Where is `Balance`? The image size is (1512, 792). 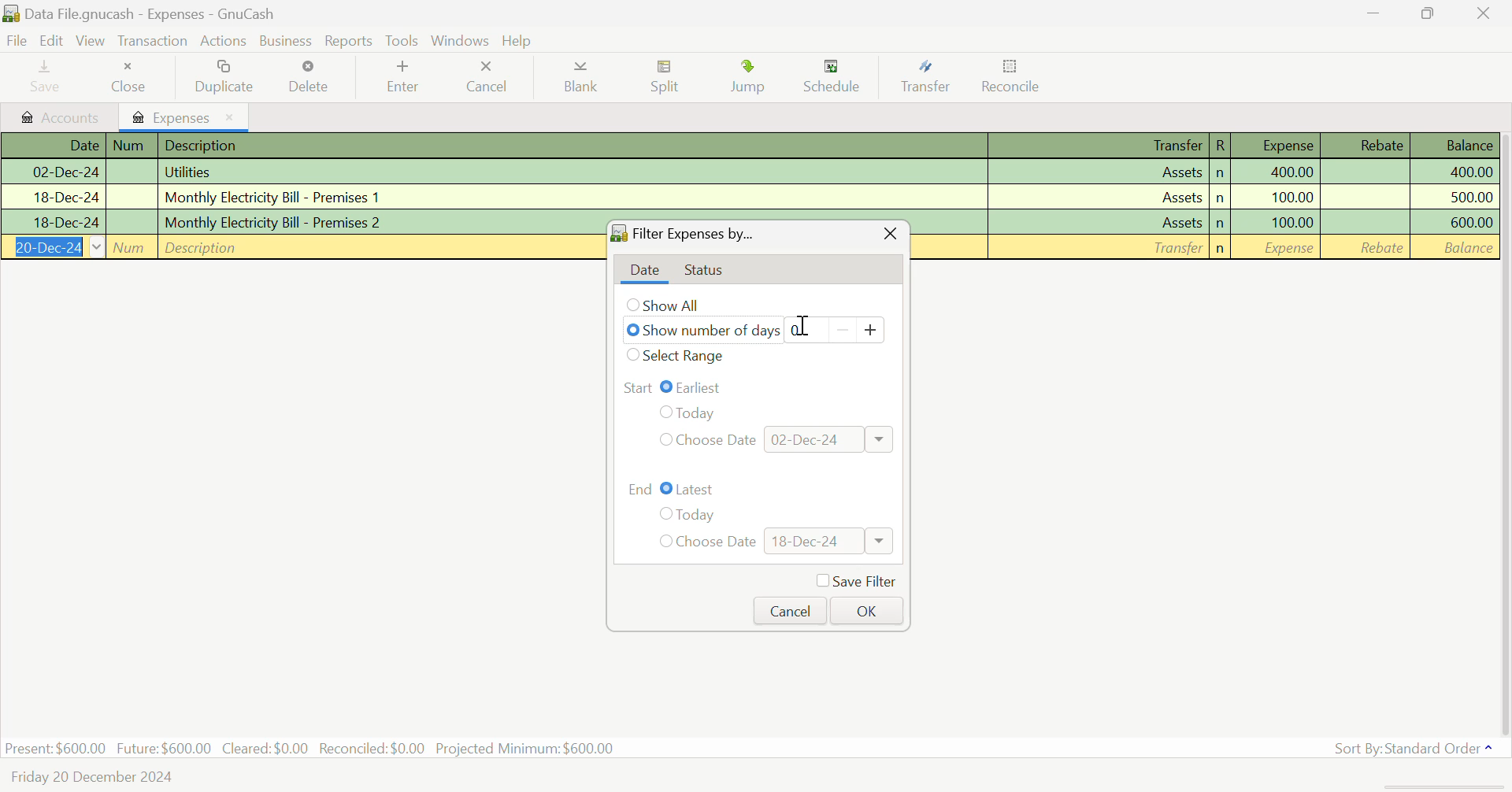 Balance is located at coordinates (1454, 248).